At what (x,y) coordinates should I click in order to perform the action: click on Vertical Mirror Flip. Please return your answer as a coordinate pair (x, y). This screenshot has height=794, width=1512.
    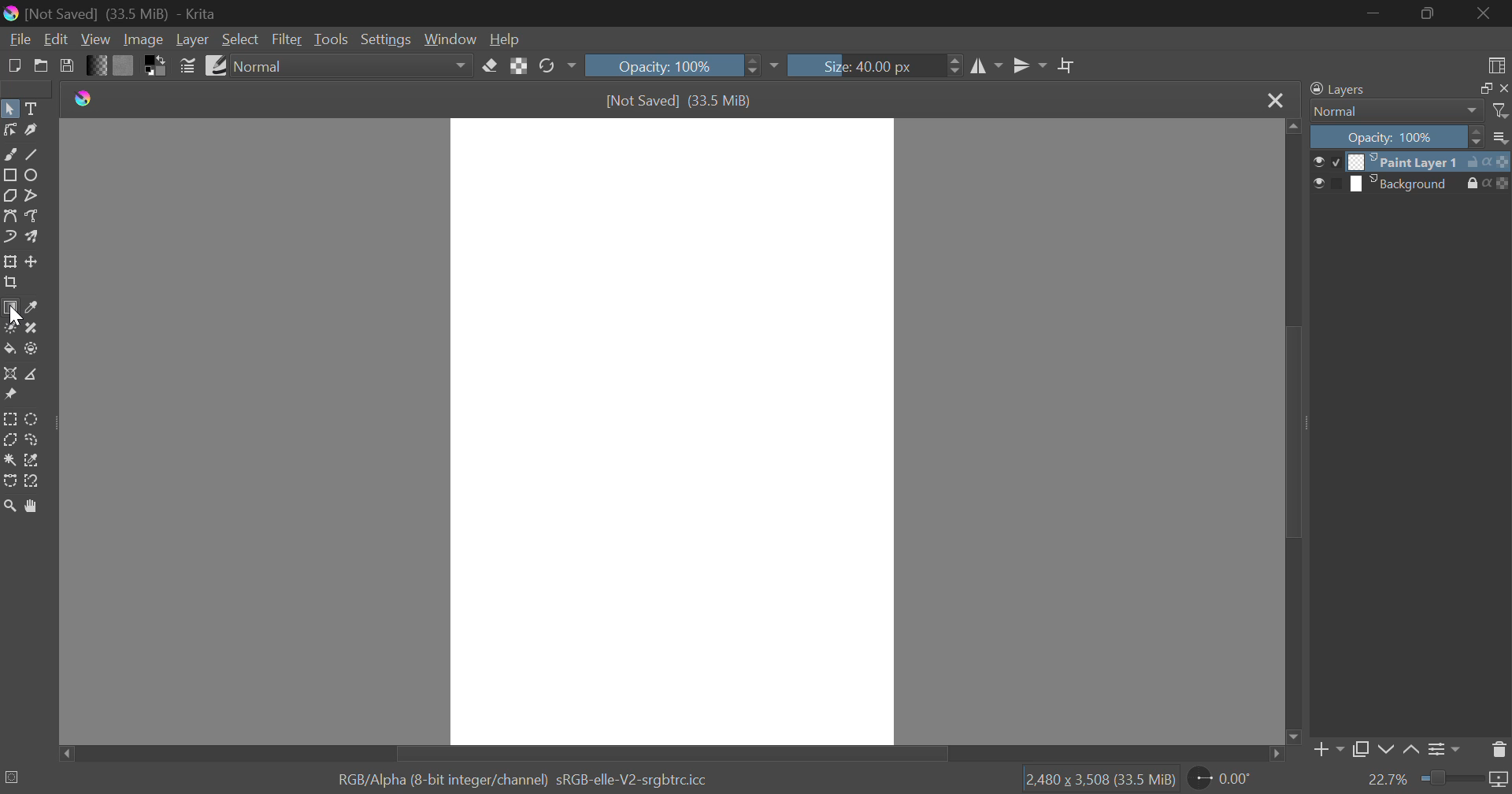
    Looking at the image, I should click on (987, 68).